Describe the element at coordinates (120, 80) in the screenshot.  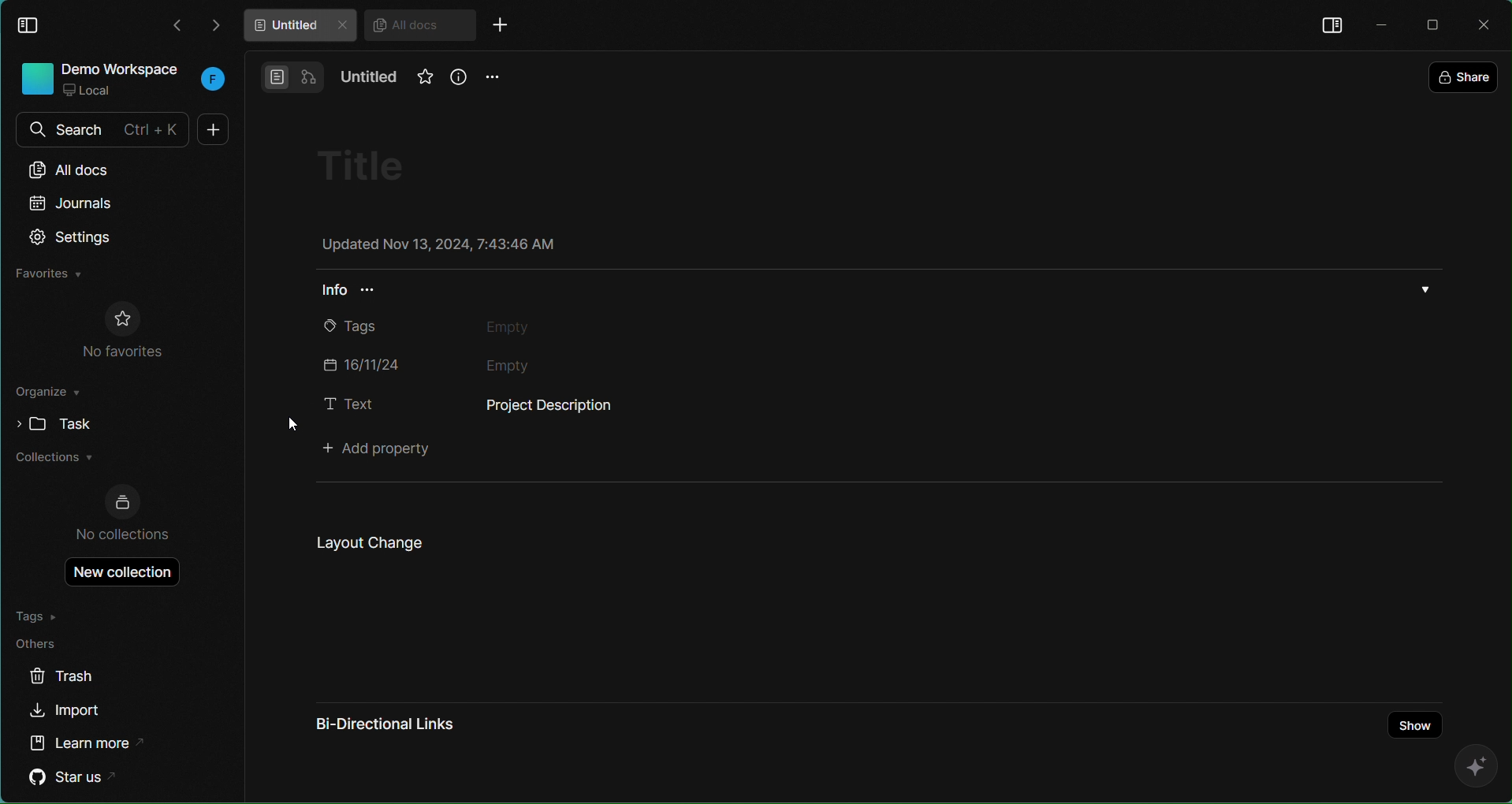
I see `Demo Workspace
[Jr (]` at that location.